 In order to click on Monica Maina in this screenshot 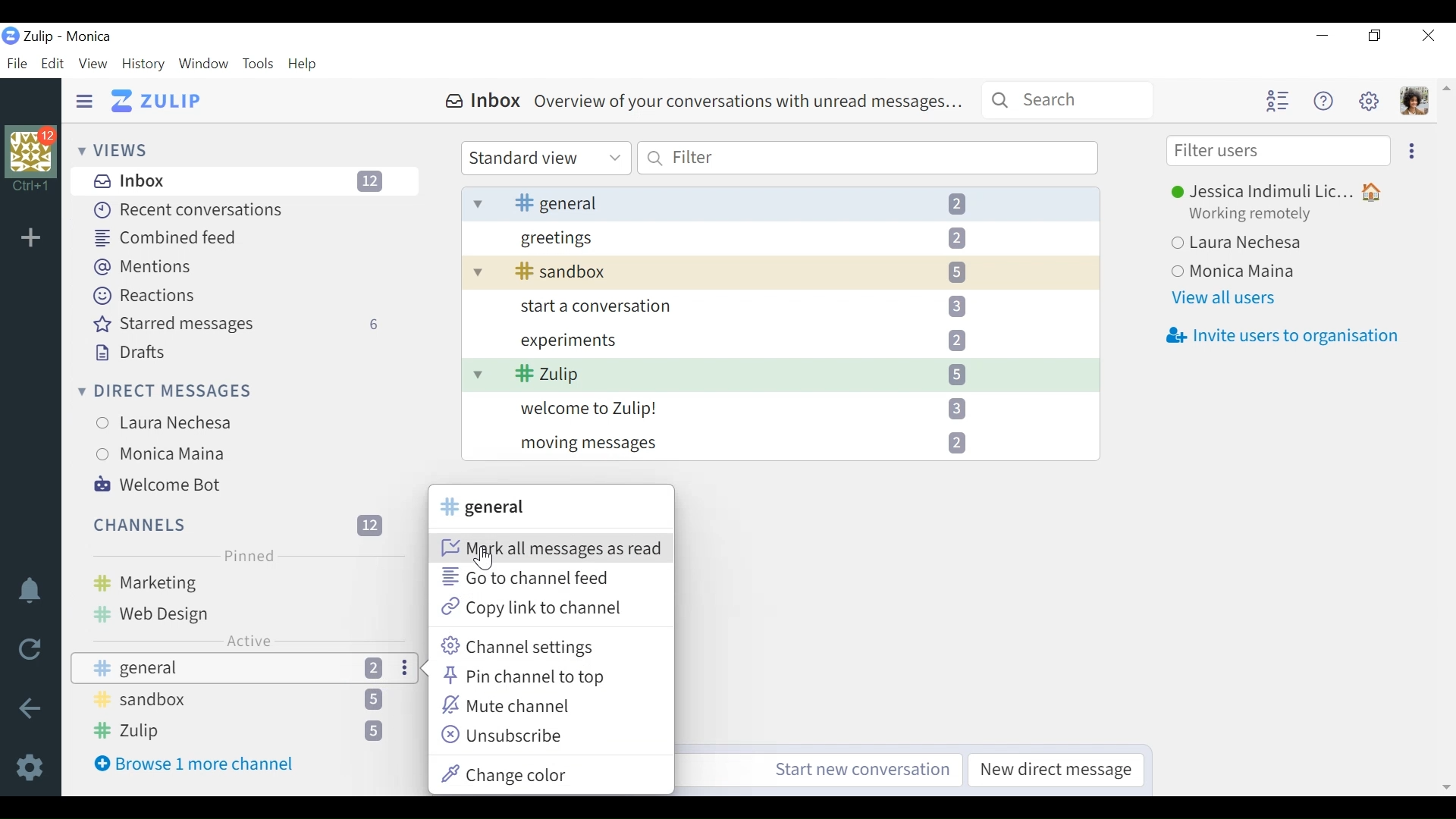, I will do `click(234, 453)`.